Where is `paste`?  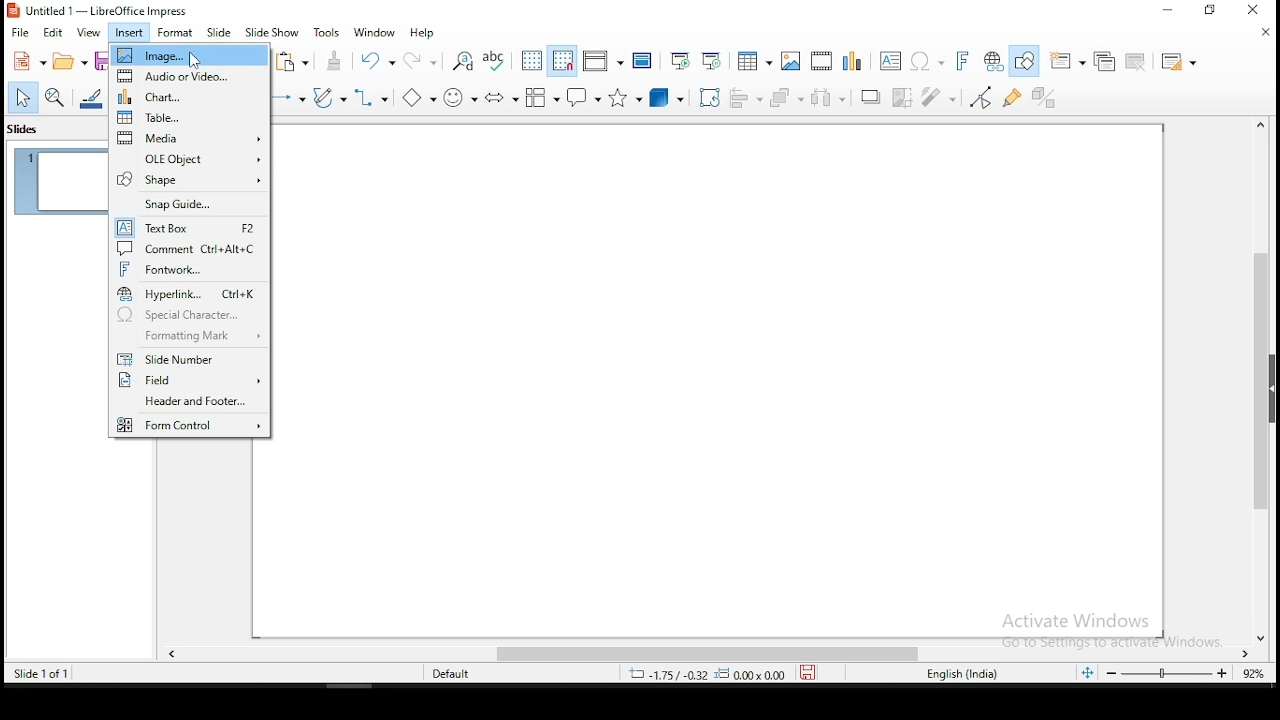 paste is located at coordinates (291, 62).